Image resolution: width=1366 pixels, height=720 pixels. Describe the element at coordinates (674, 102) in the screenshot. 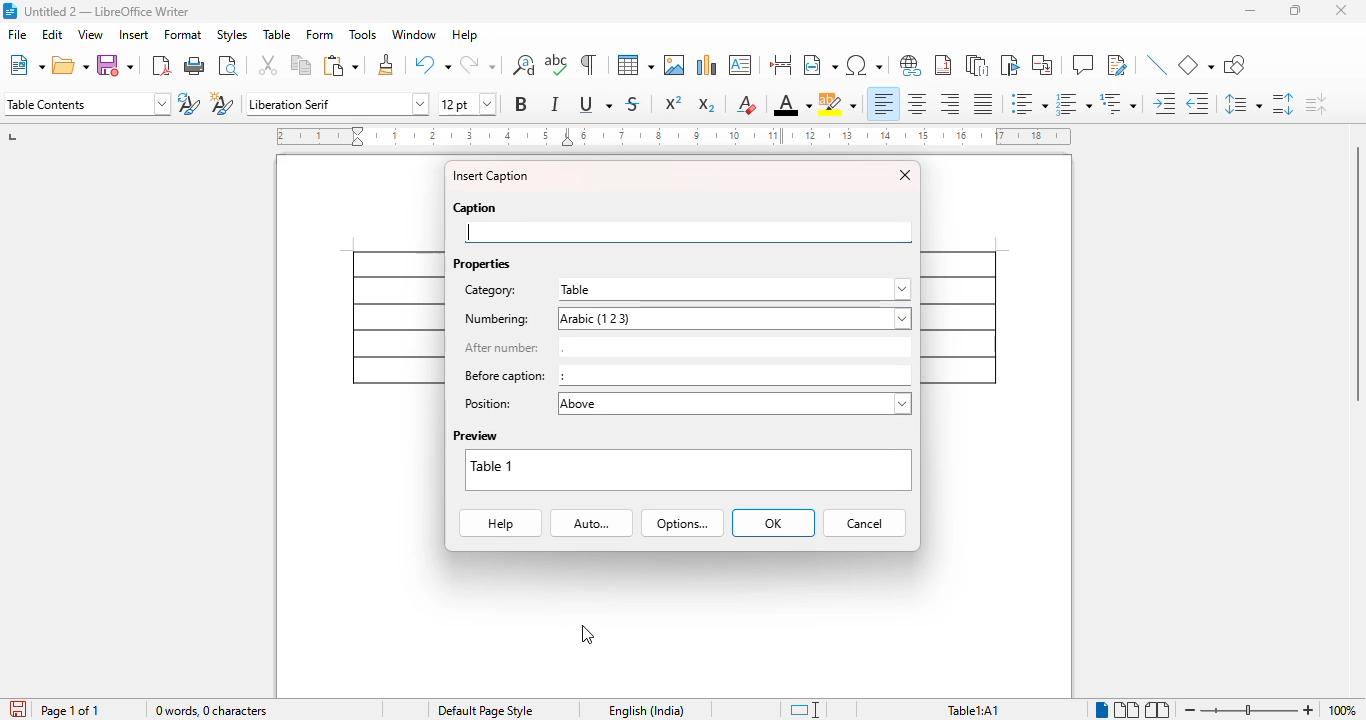

I see `superscript` at that location.